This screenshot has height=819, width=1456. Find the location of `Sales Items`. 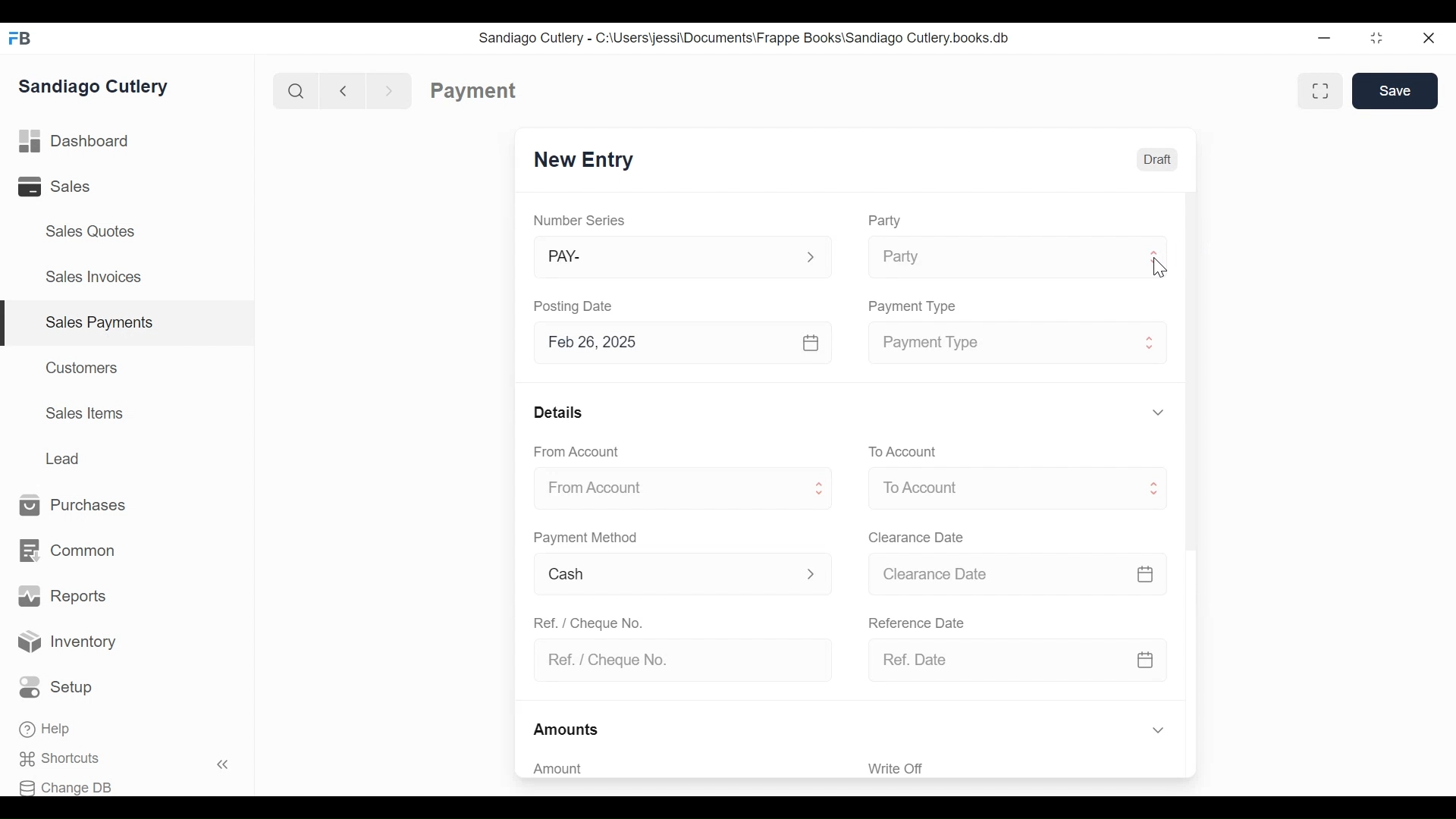

Sales Items is located at coordinates (85, 413).